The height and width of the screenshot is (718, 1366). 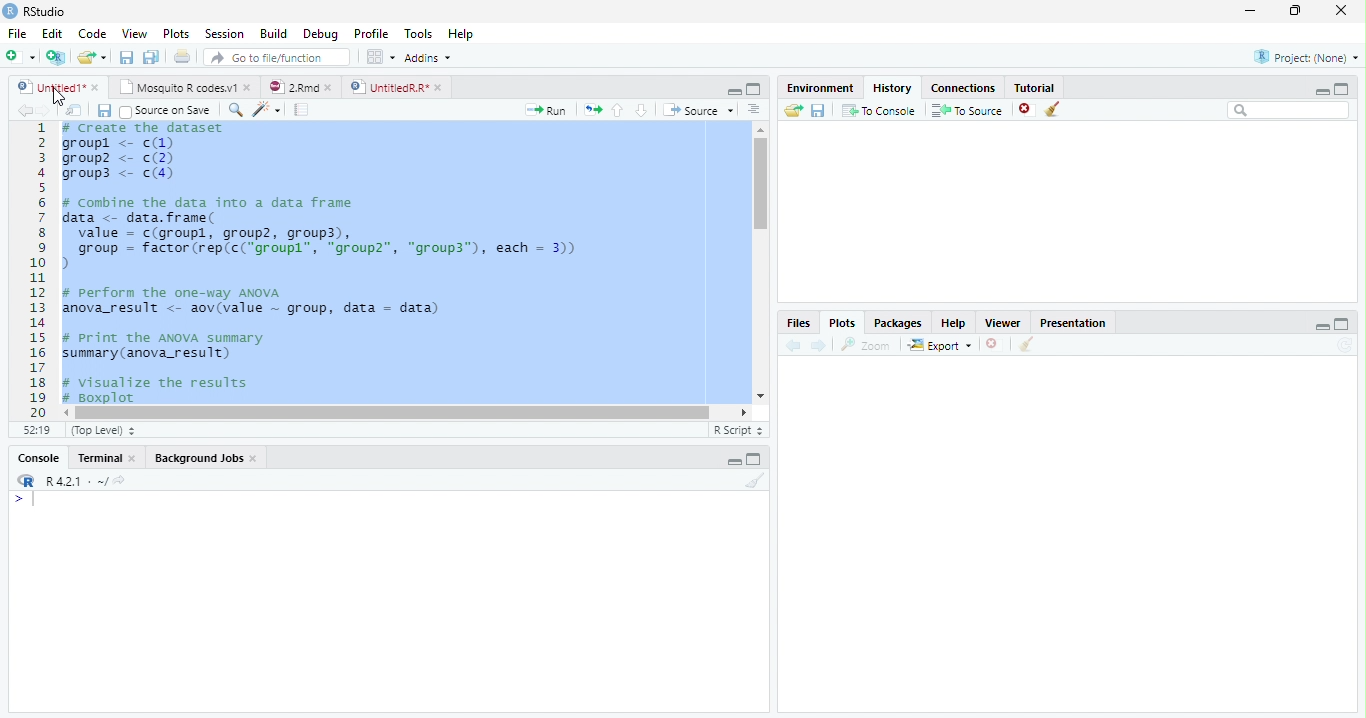 I want to click on Export, so click(x=941, y=345).